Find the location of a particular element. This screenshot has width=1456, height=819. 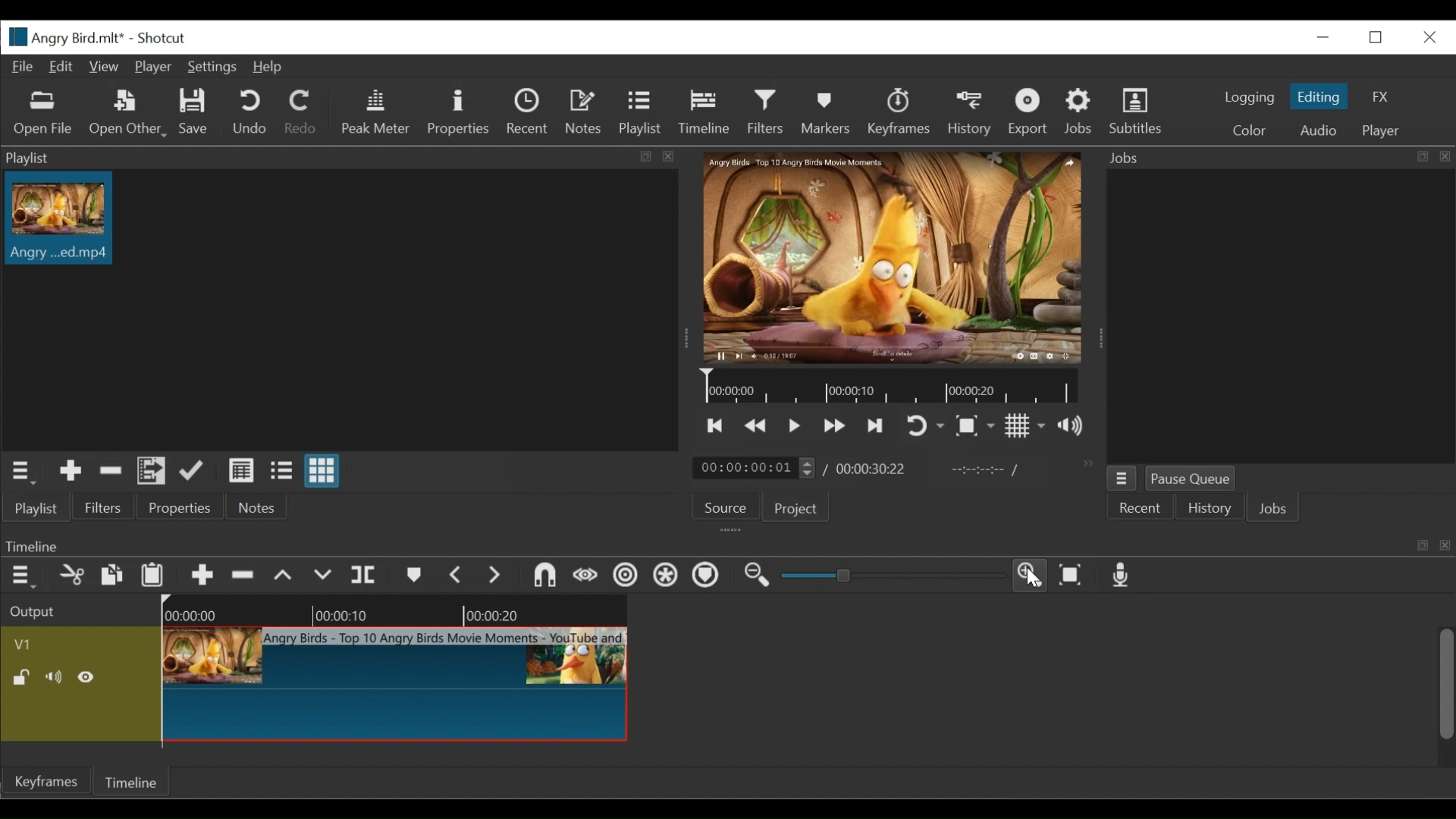

Show volume control is located at coordinates (1073, 427).